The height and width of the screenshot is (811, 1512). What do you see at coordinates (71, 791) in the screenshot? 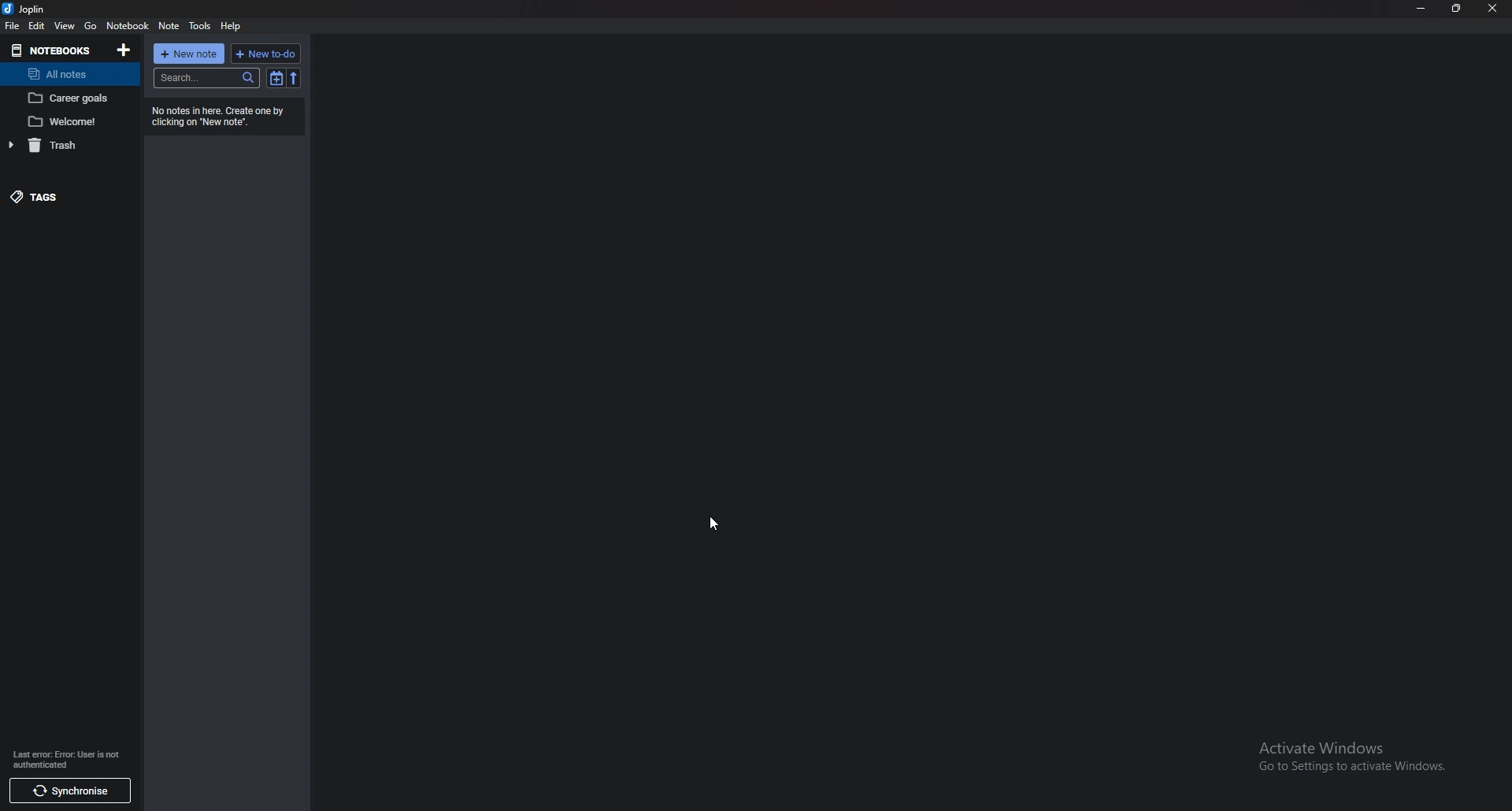
I see `sync` at bounding box center [71, 791].